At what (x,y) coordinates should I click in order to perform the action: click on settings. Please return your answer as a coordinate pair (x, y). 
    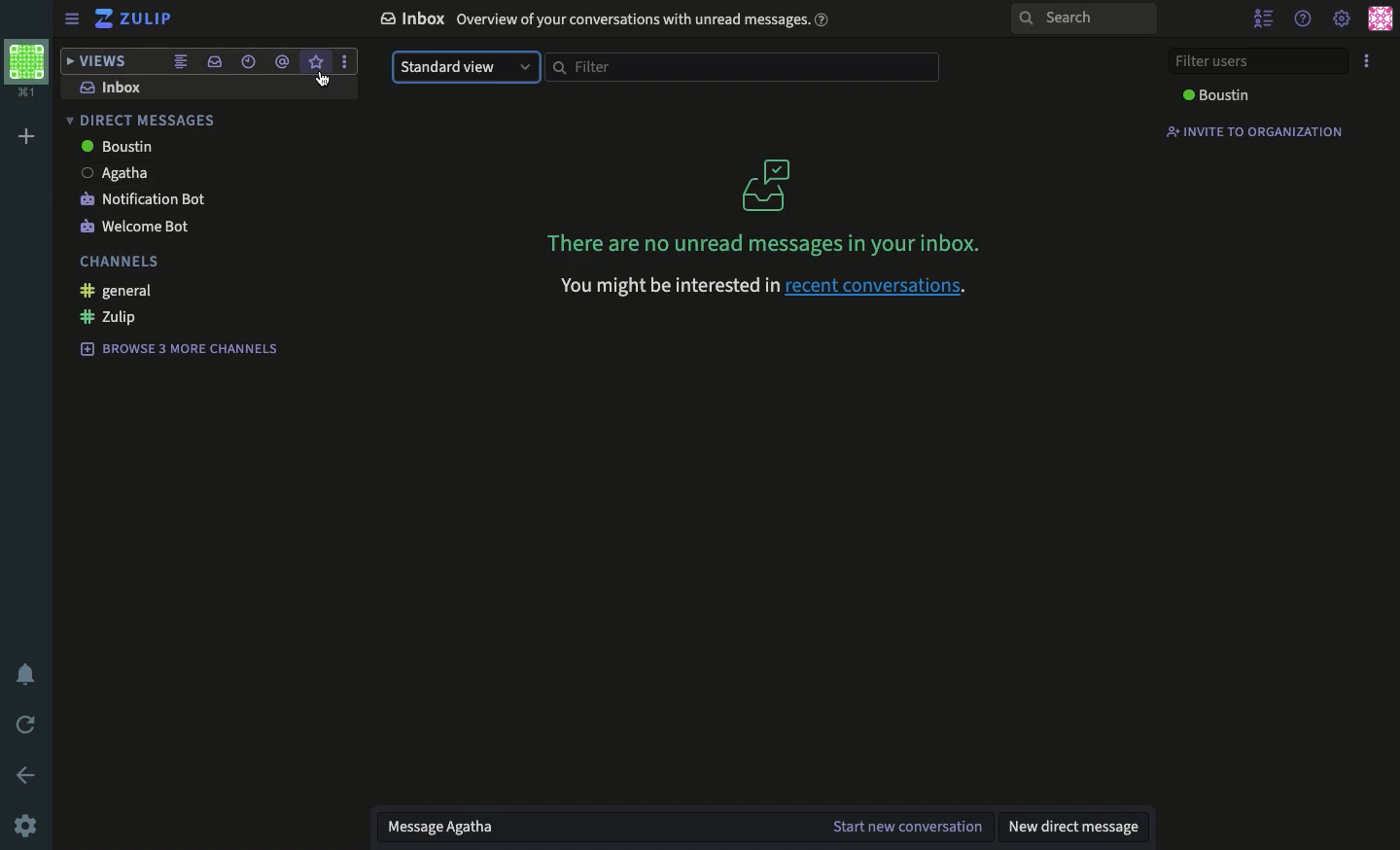
    Looking at the image, I should click on (1340, 19).